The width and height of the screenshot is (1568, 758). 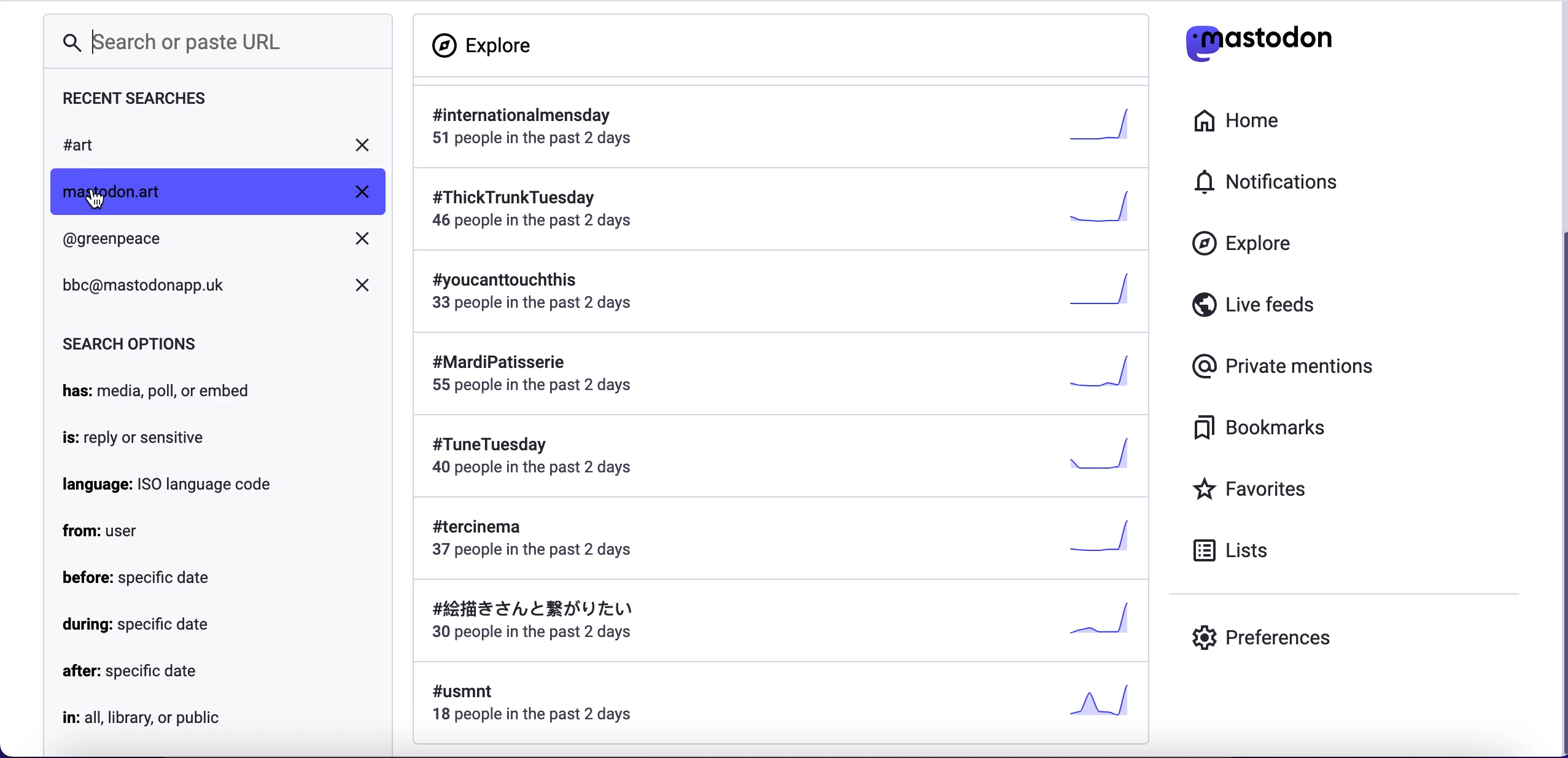 I want to click on greenpeace, so click(x=222, y=244).